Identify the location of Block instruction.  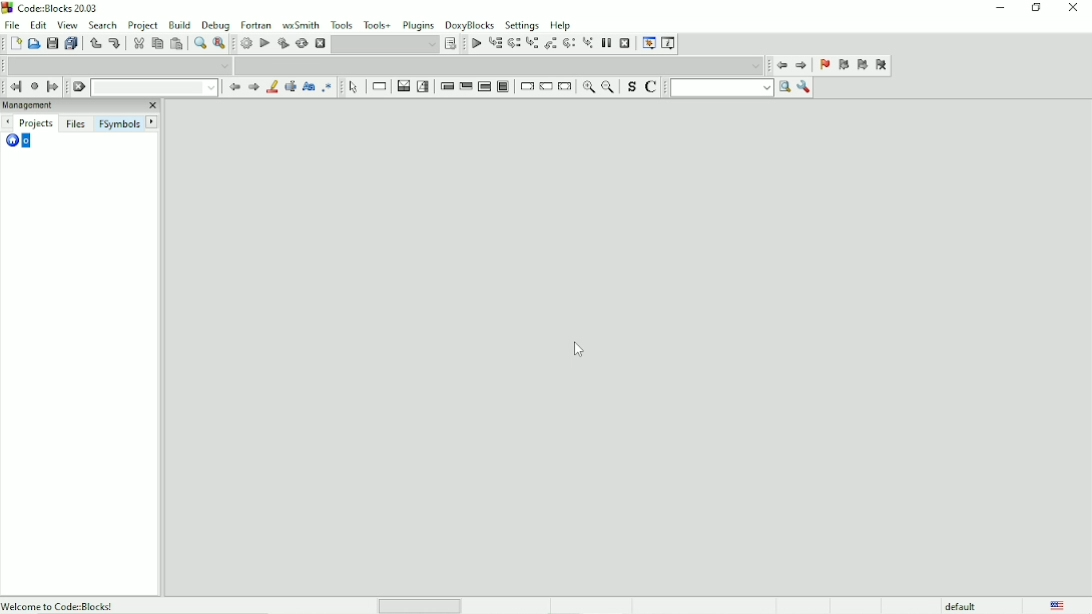
(504, 88).